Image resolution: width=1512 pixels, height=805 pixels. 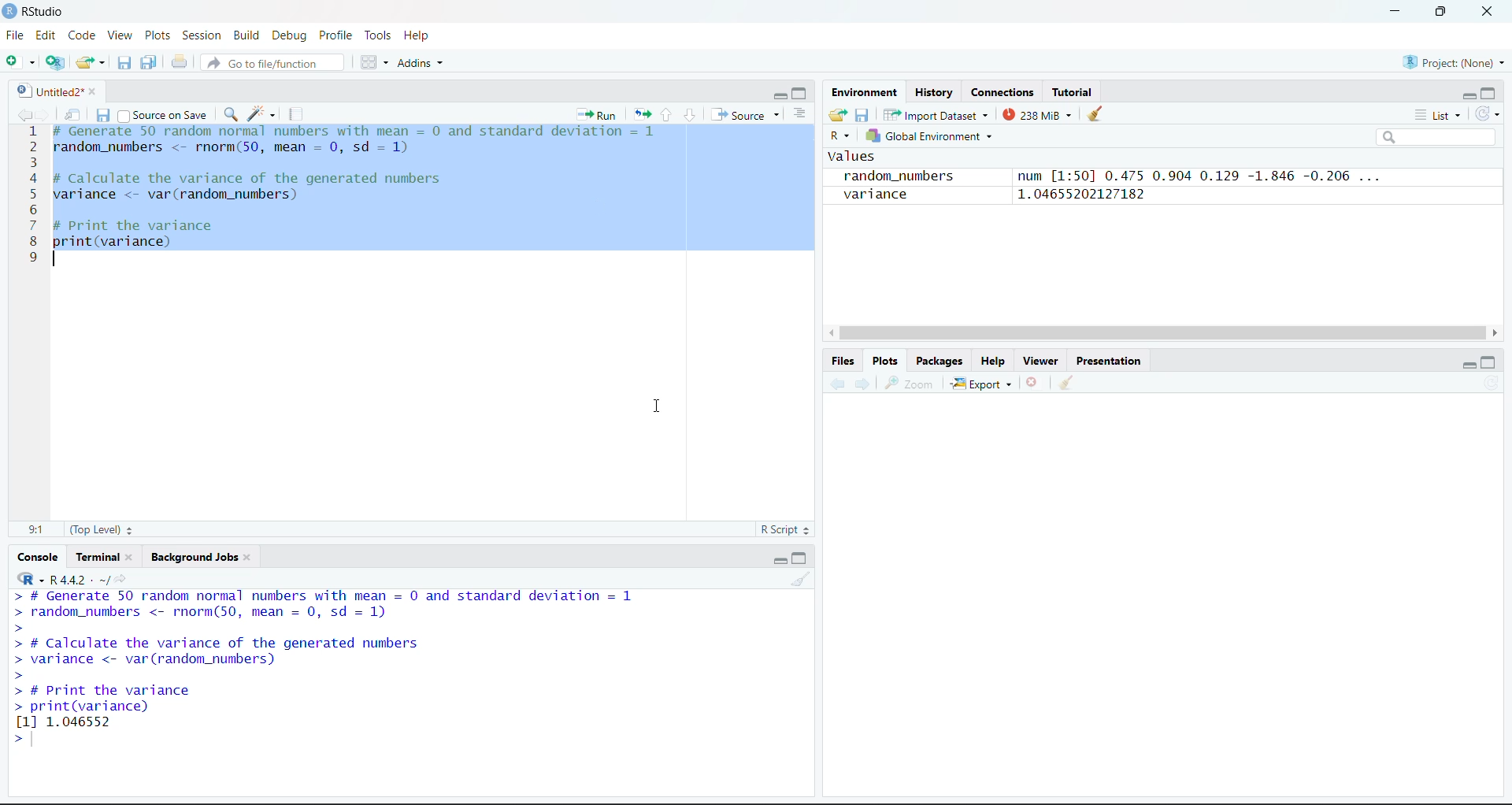 What do you see at coordinates (262, 114) in the screenshot?
I see `code tools` at bounding box center [262, 114].